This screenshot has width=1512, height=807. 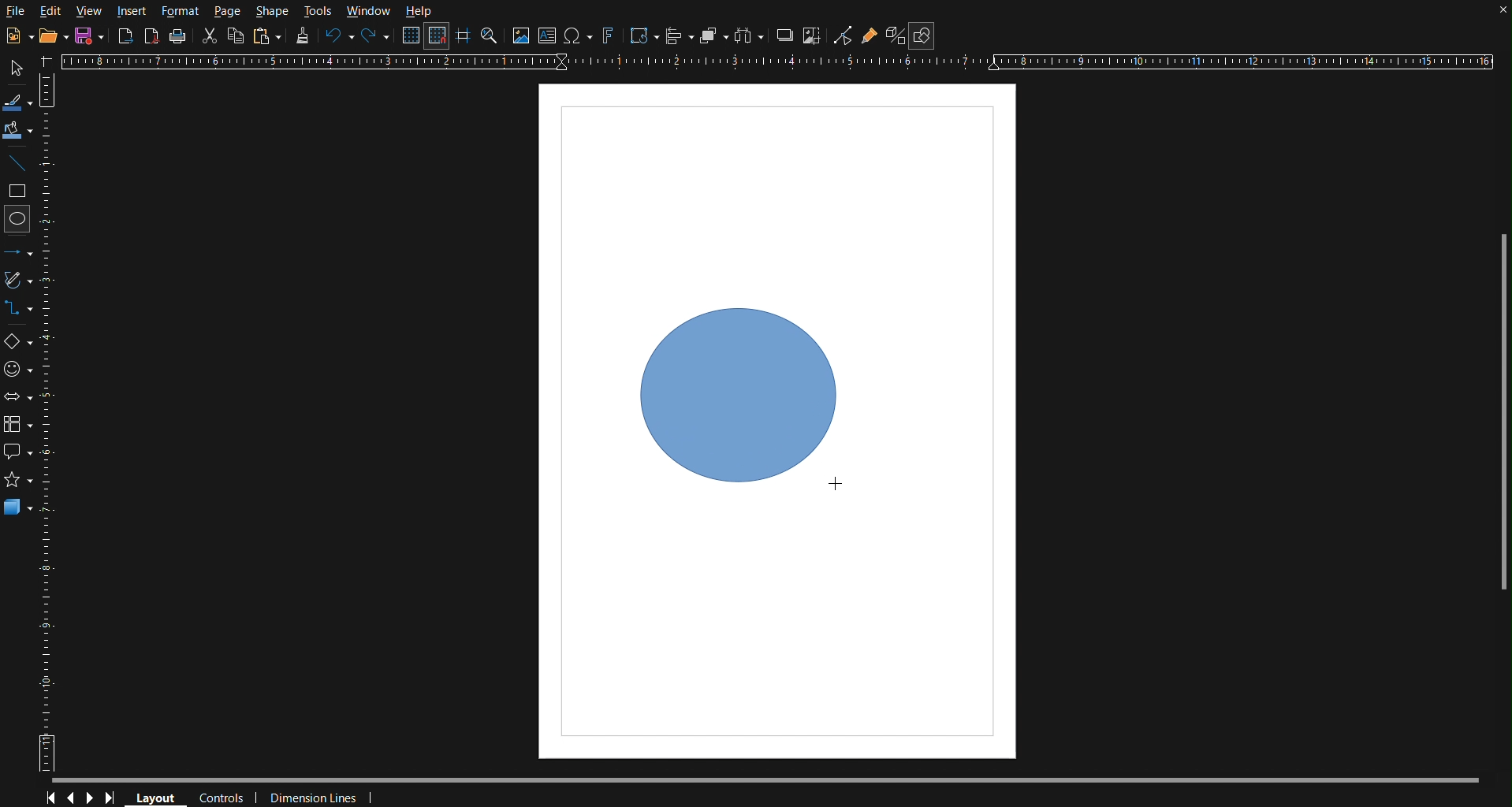 I want to click on Align, so click(x=679, y=35).